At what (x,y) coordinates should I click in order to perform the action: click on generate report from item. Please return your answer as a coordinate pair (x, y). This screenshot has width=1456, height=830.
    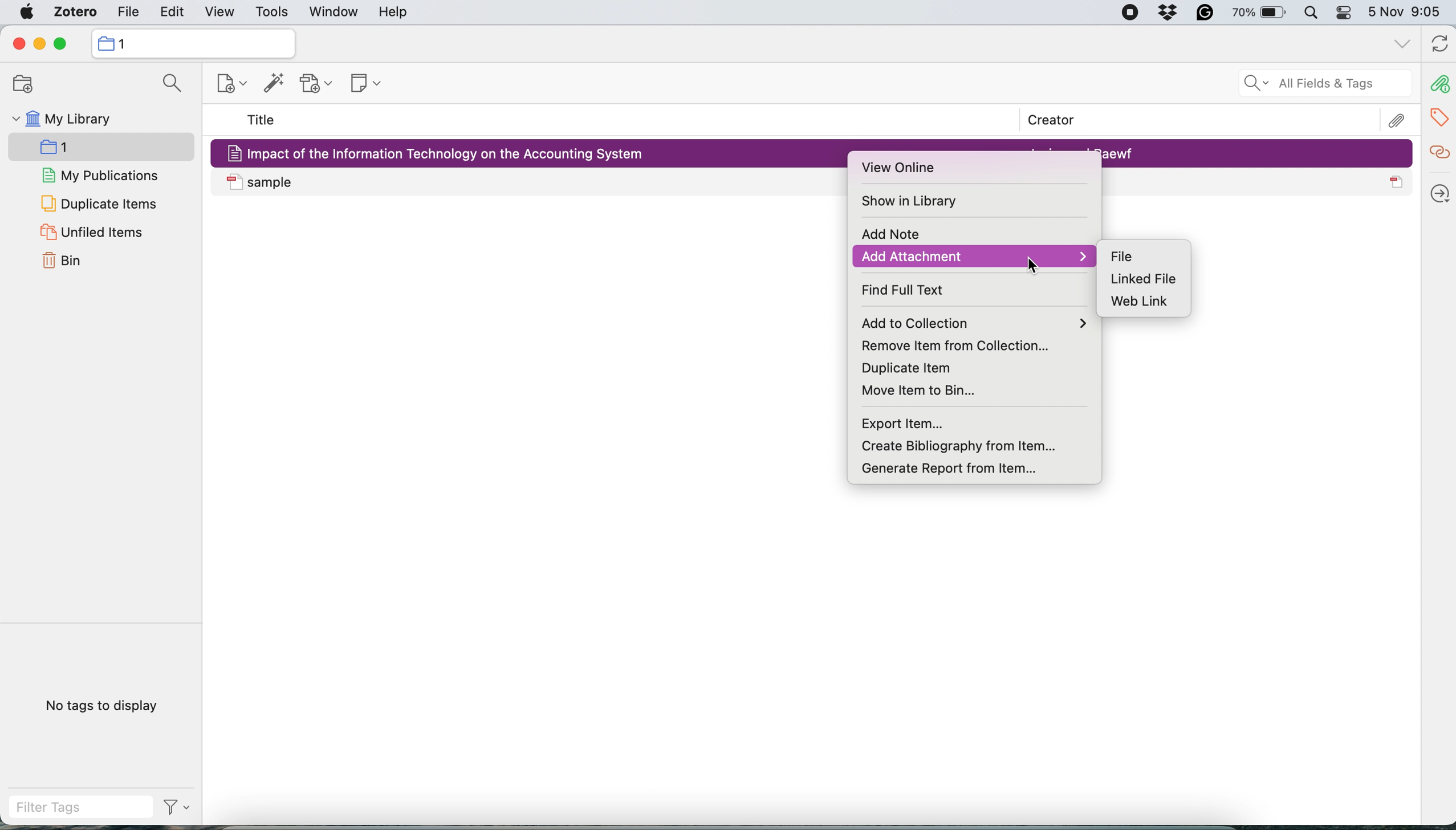
    Looking at the image, I should click on (947, 465).